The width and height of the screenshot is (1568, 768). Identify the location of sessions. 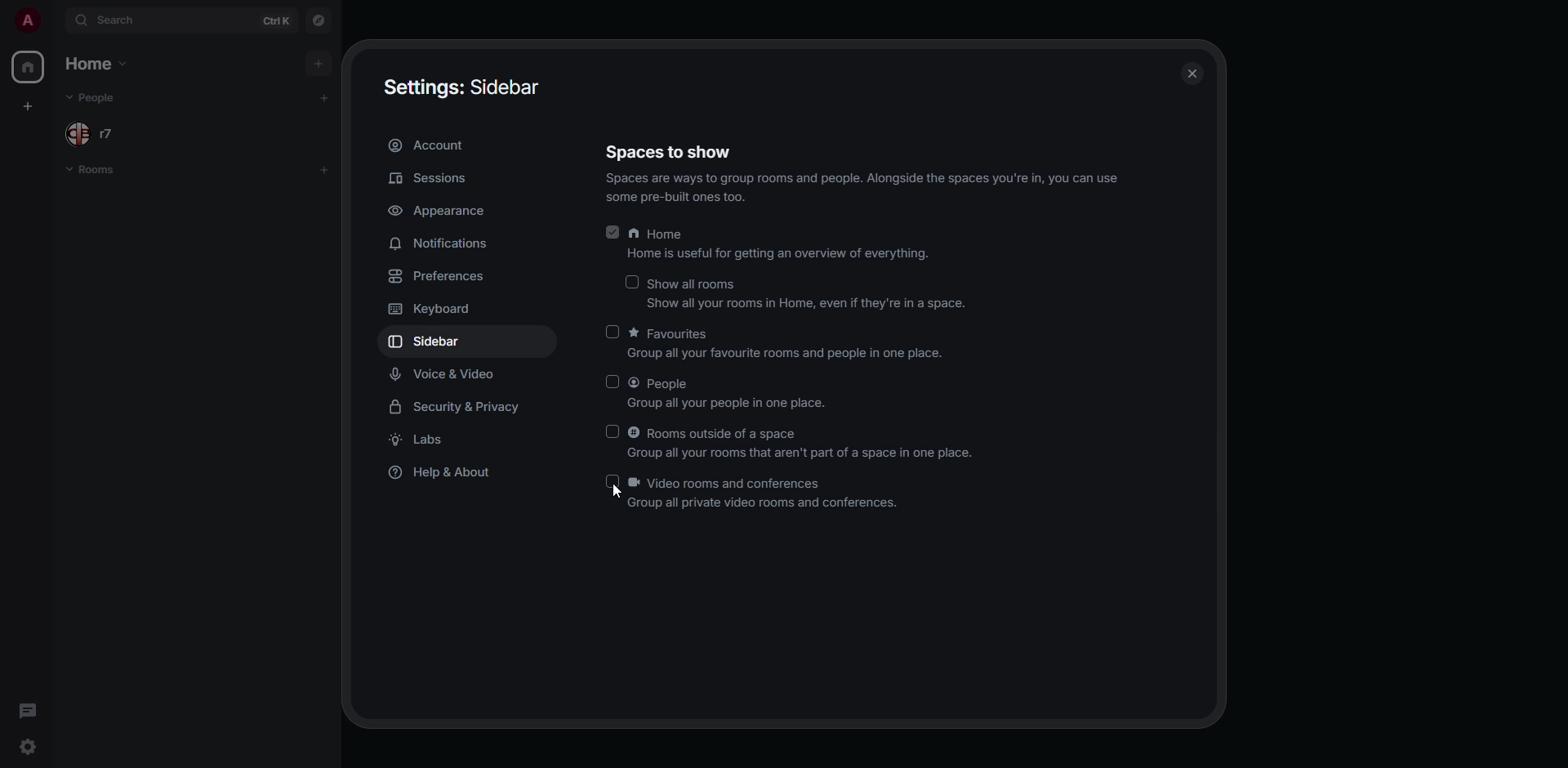
(433, 179).